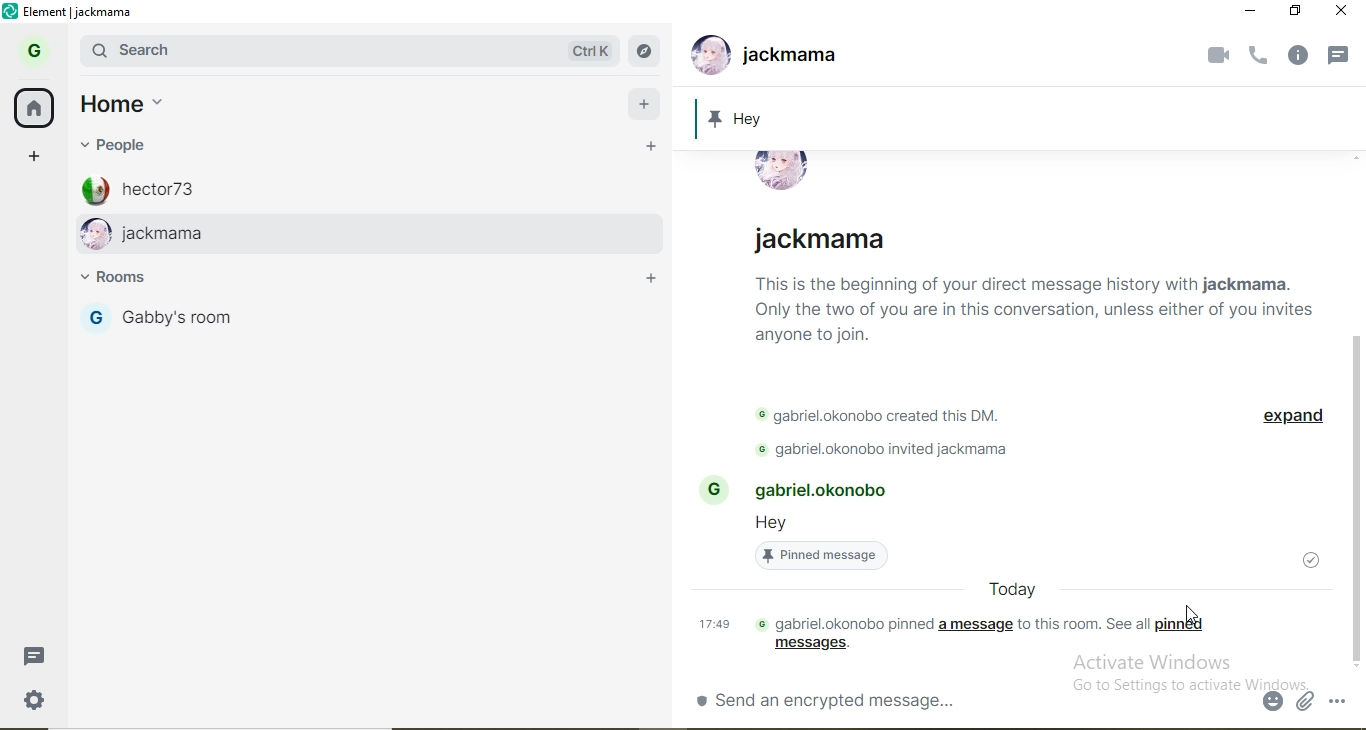 Image resolution: width=1366 pixels, height=730 pixels. I want to click on hector 73, so click(394, 186).